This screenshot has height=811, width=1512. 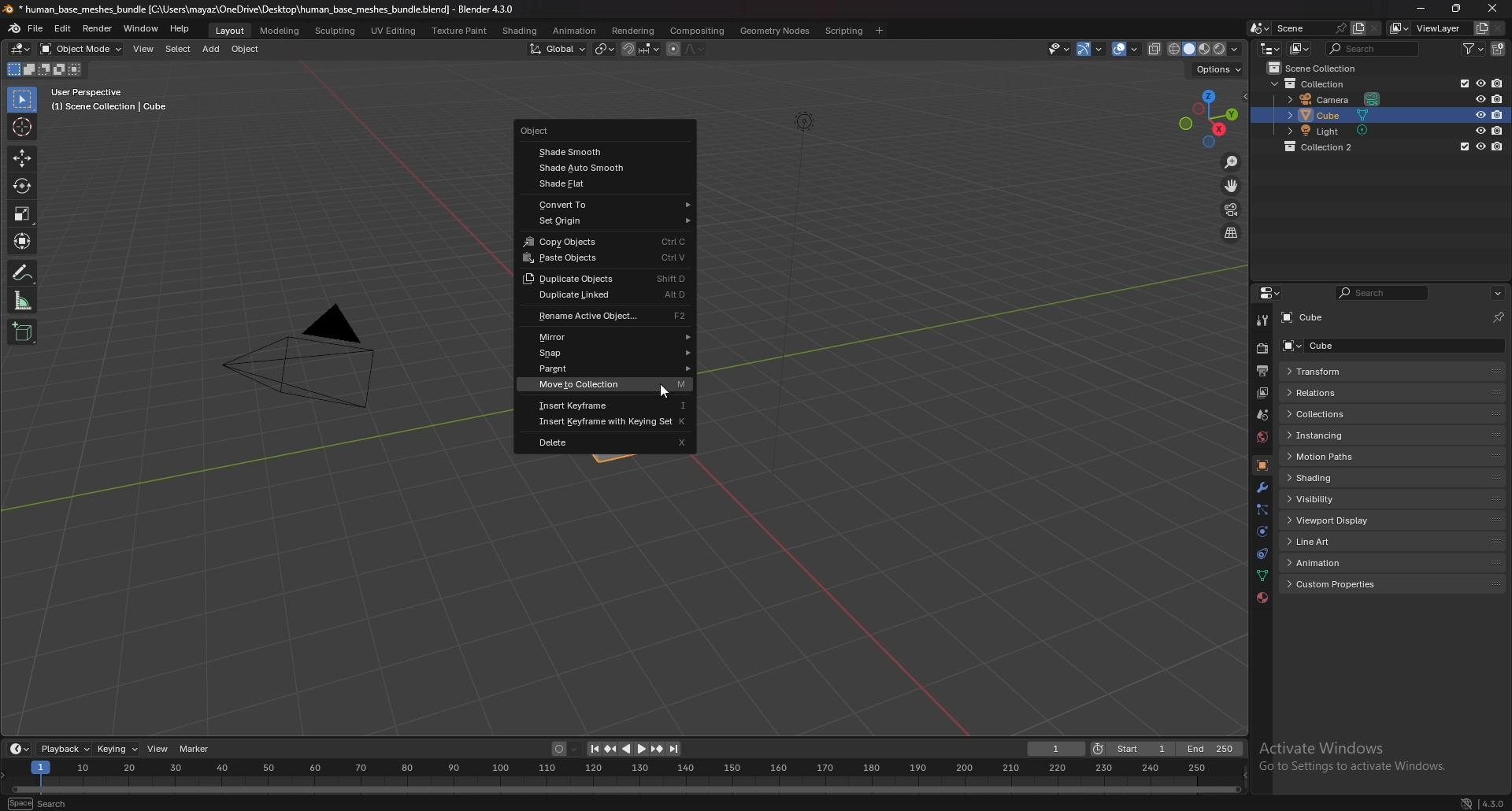 I want to click on move, so click(x=22, y=157).